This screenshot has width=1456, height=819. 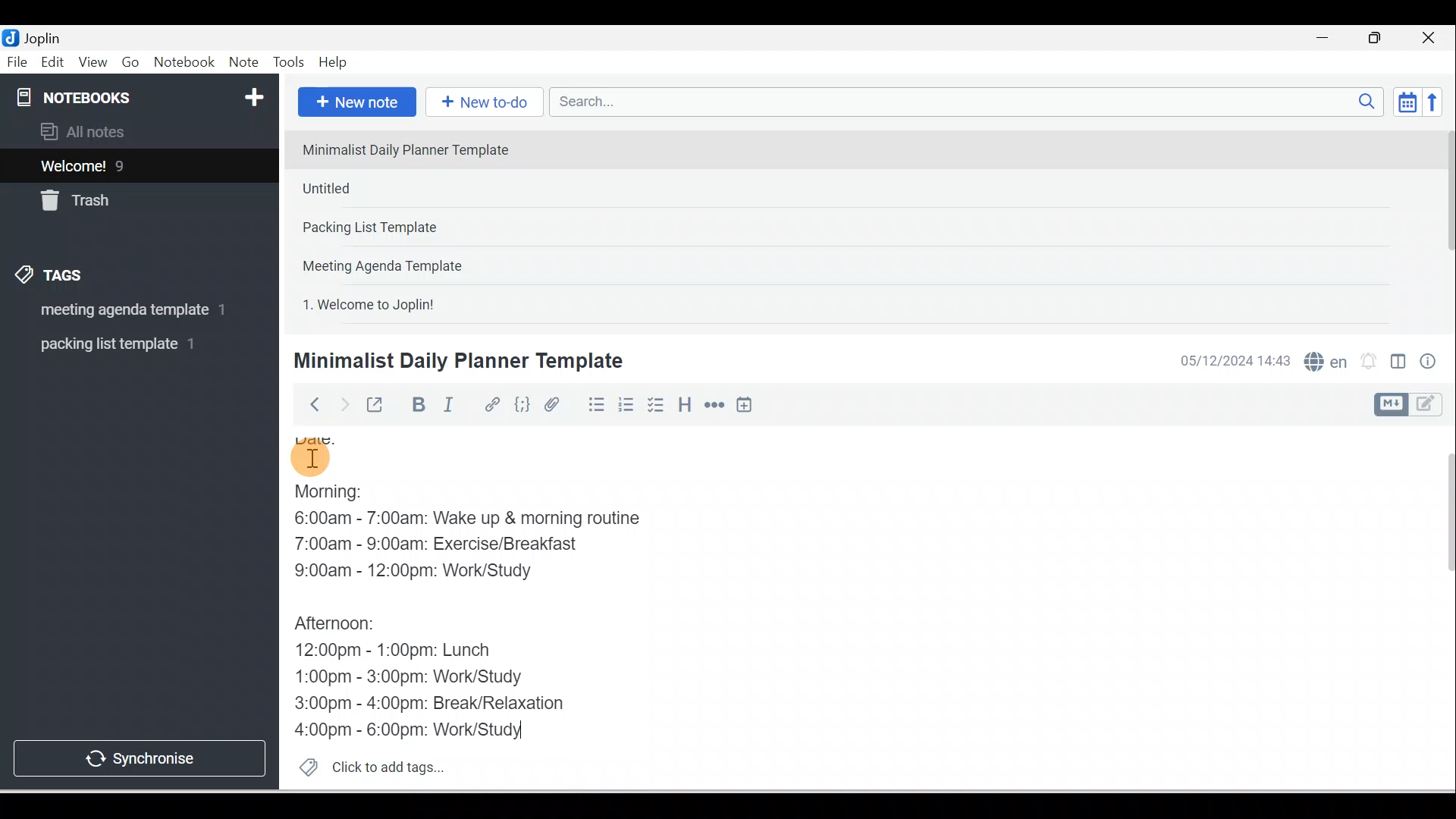 What do you see at coordinates (1232, 361) in the screenshot?
I see `Date & time` at bounding box center [1232, 361].